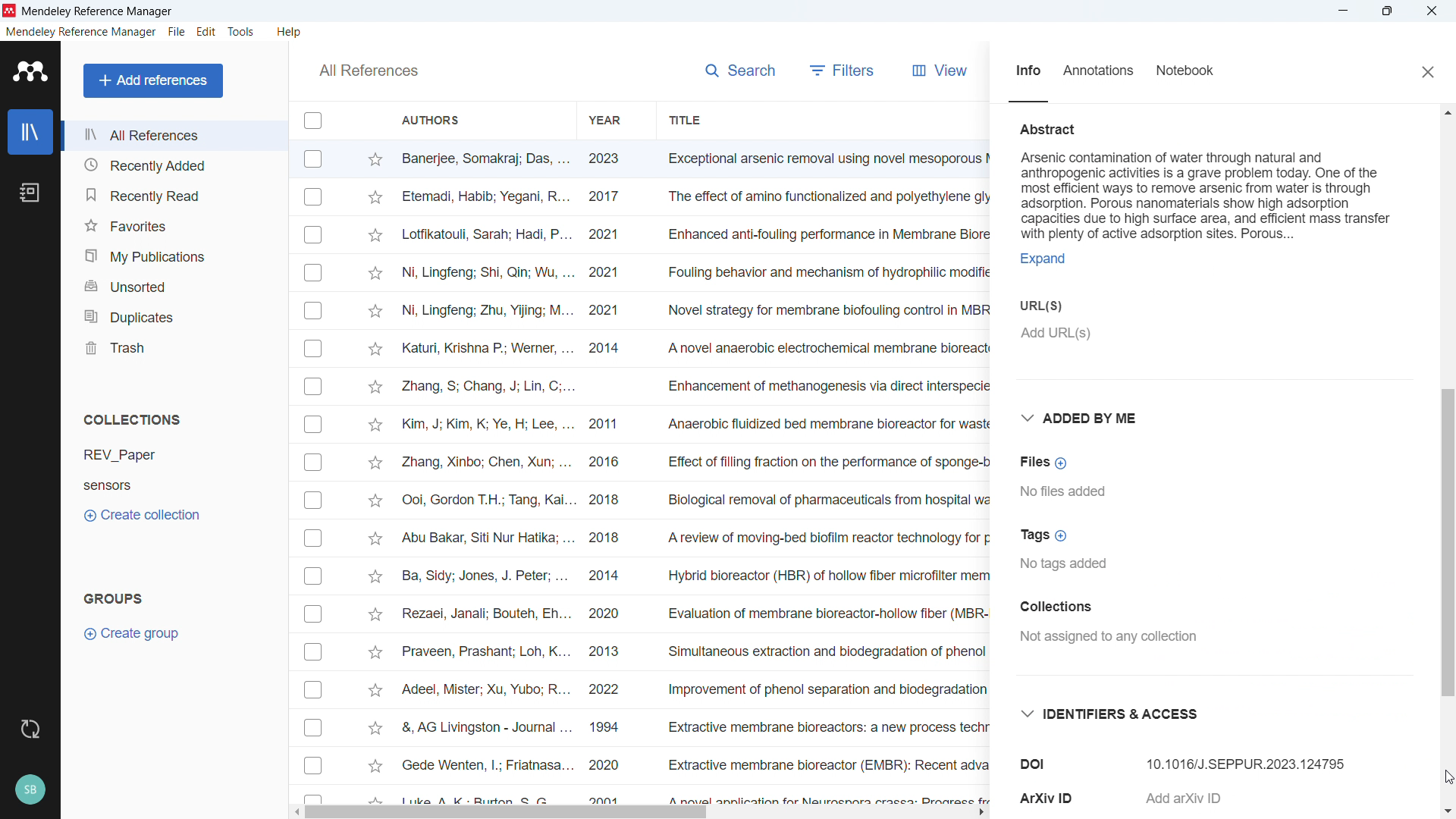 The height and width of the screenshot is (819, 1456). I want to click on biological removal of pharmaceuticals from hospital wastewater in a pilot-scal, so click(821, 500).